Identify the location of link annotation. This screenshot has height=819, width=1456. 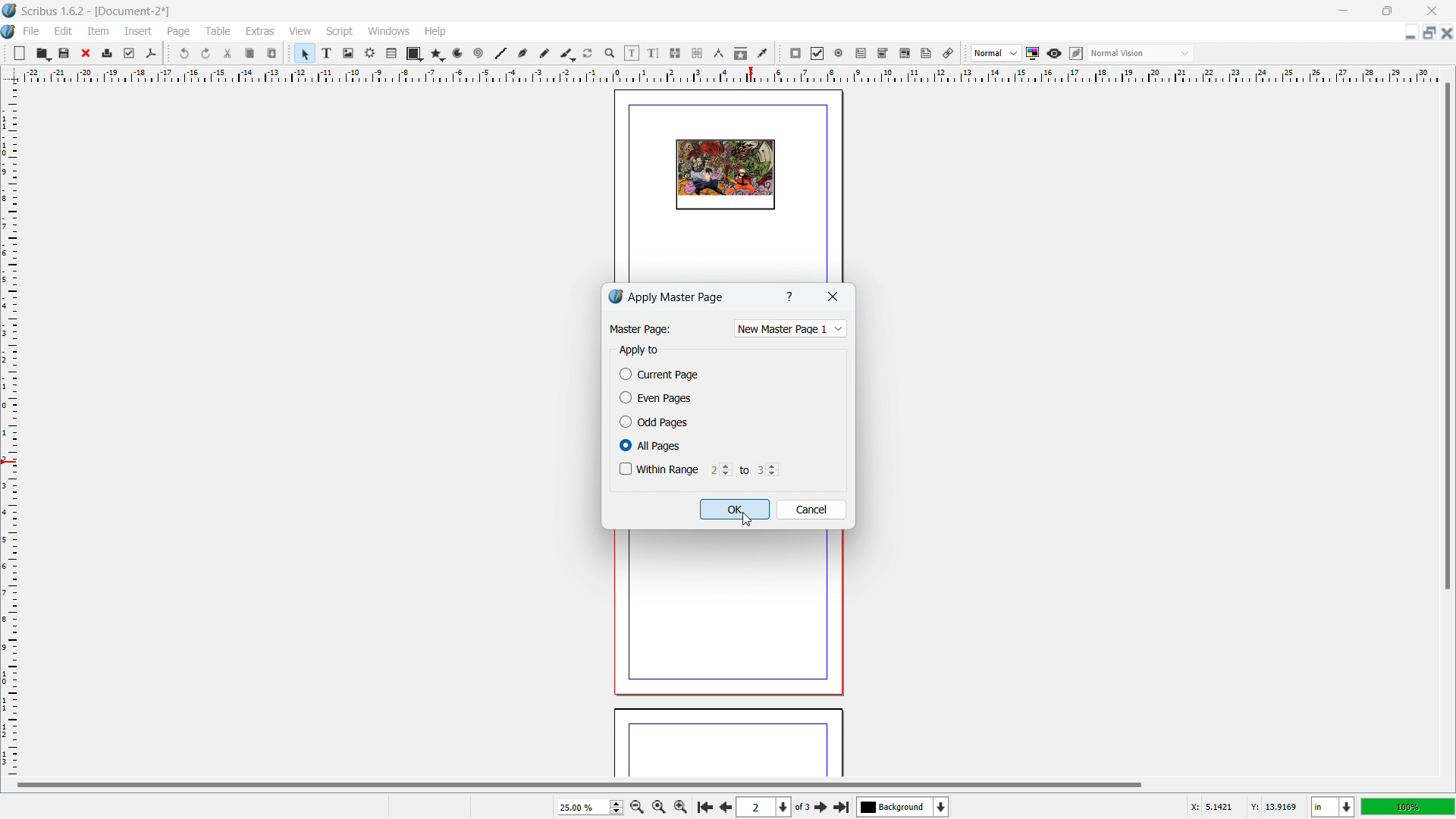
(949, 53).